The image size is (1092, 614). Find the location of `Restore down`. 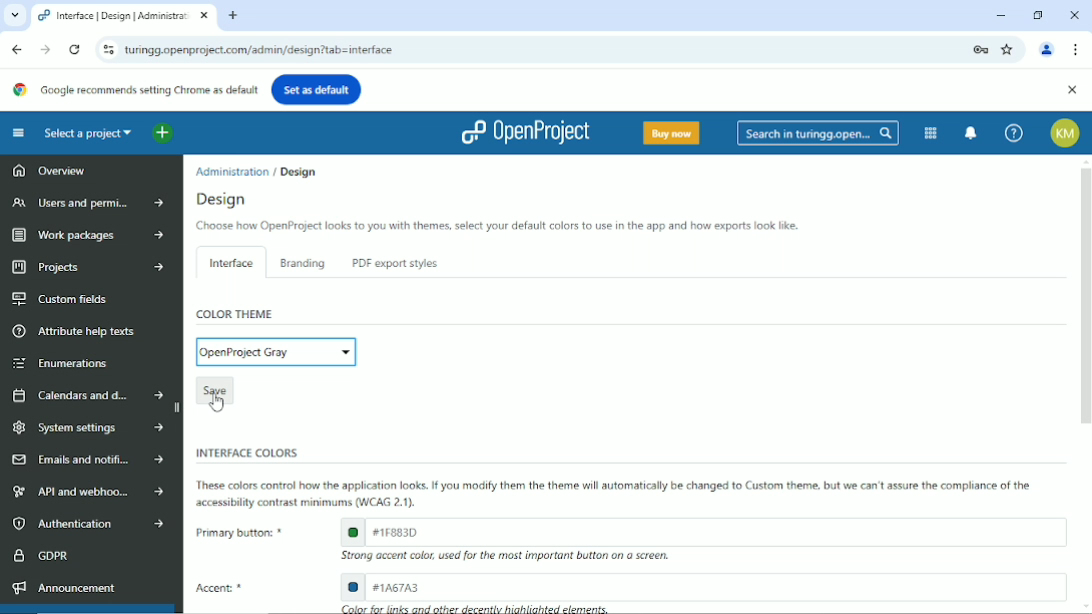

Restore down is located at coordinates (1038, 14).